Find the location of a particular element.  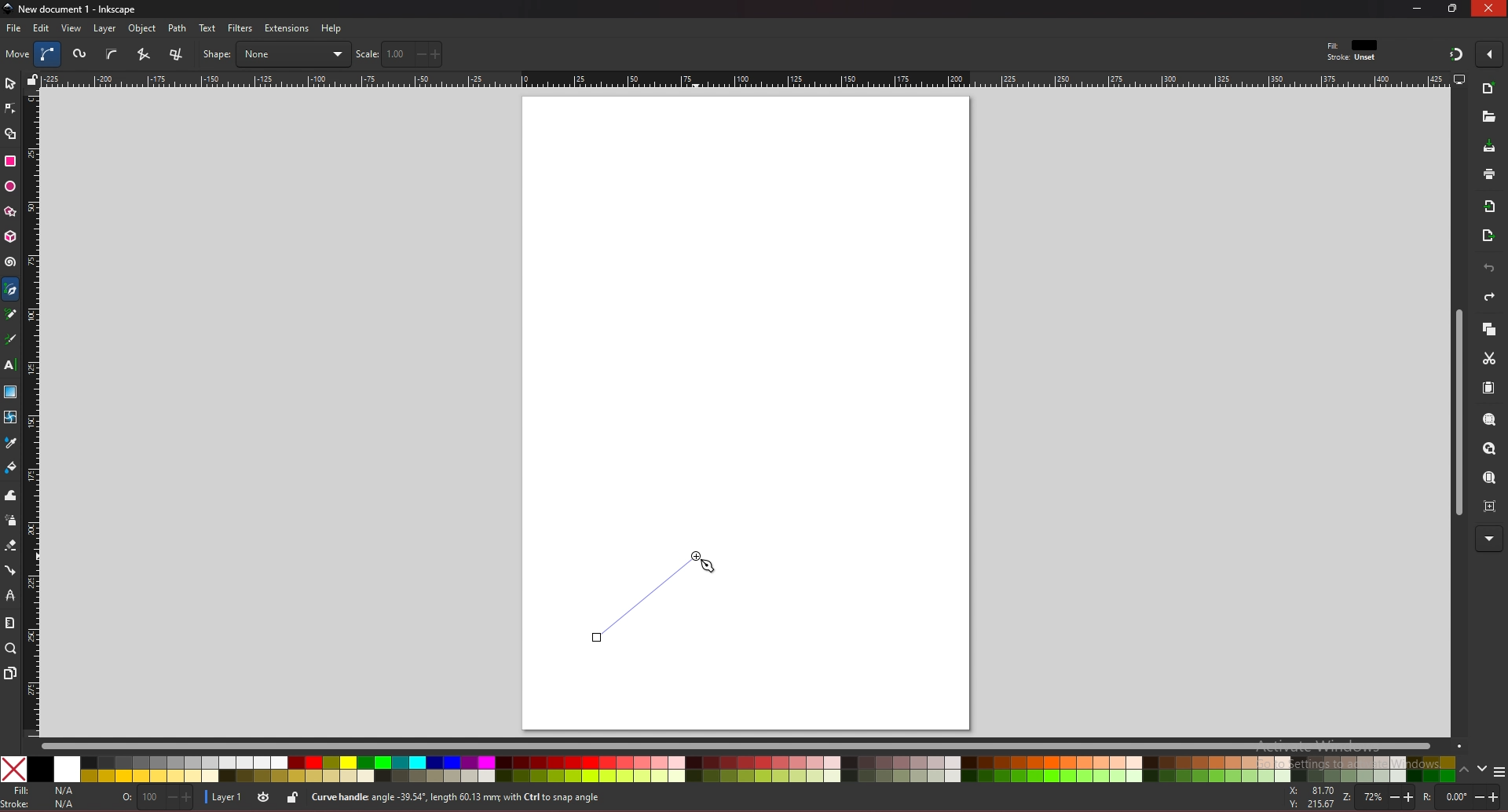

lock guides is located at coordinates (32, 79).